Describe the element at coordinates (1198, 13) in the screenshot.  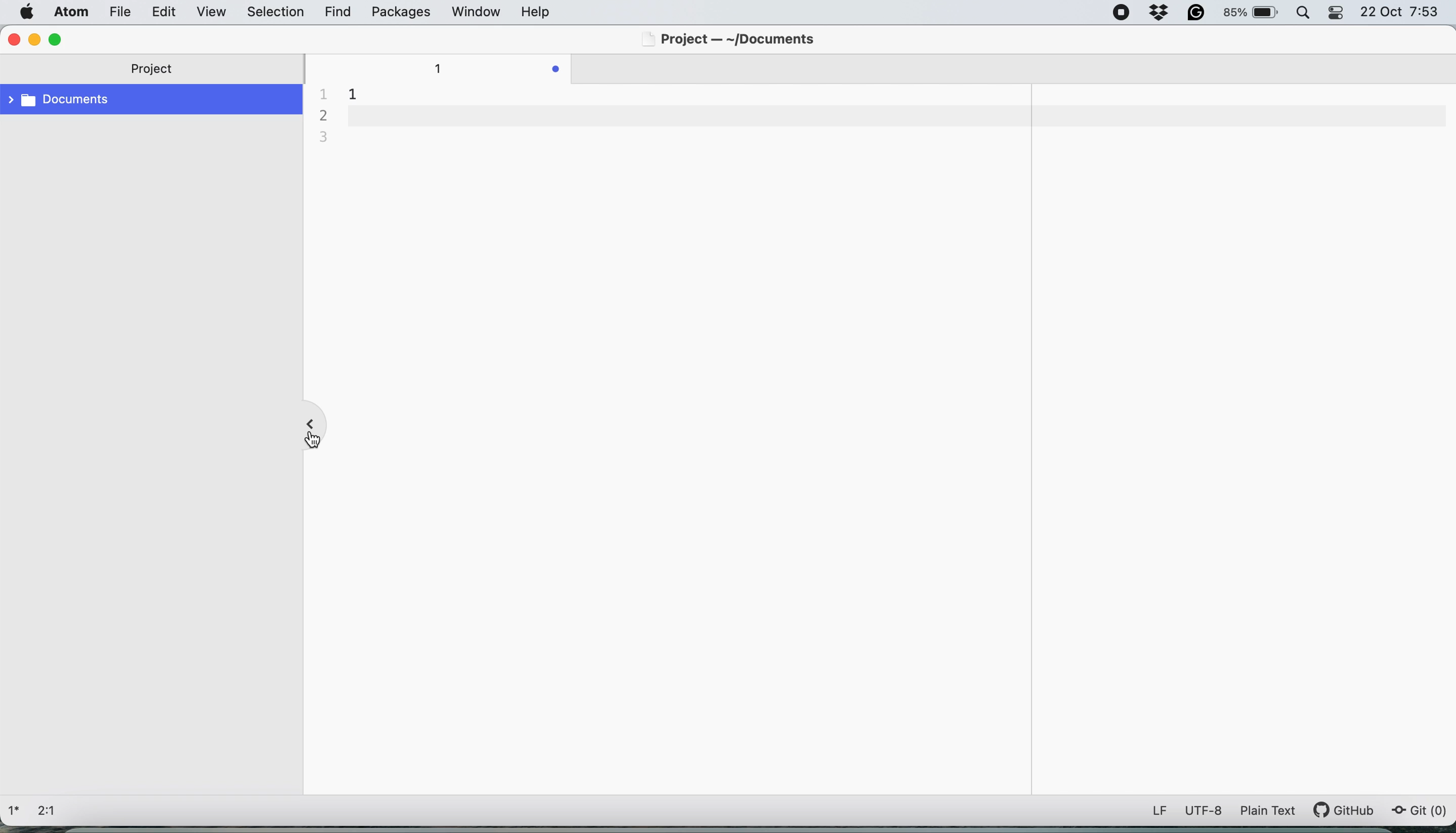
I see `grammarly` at that location.